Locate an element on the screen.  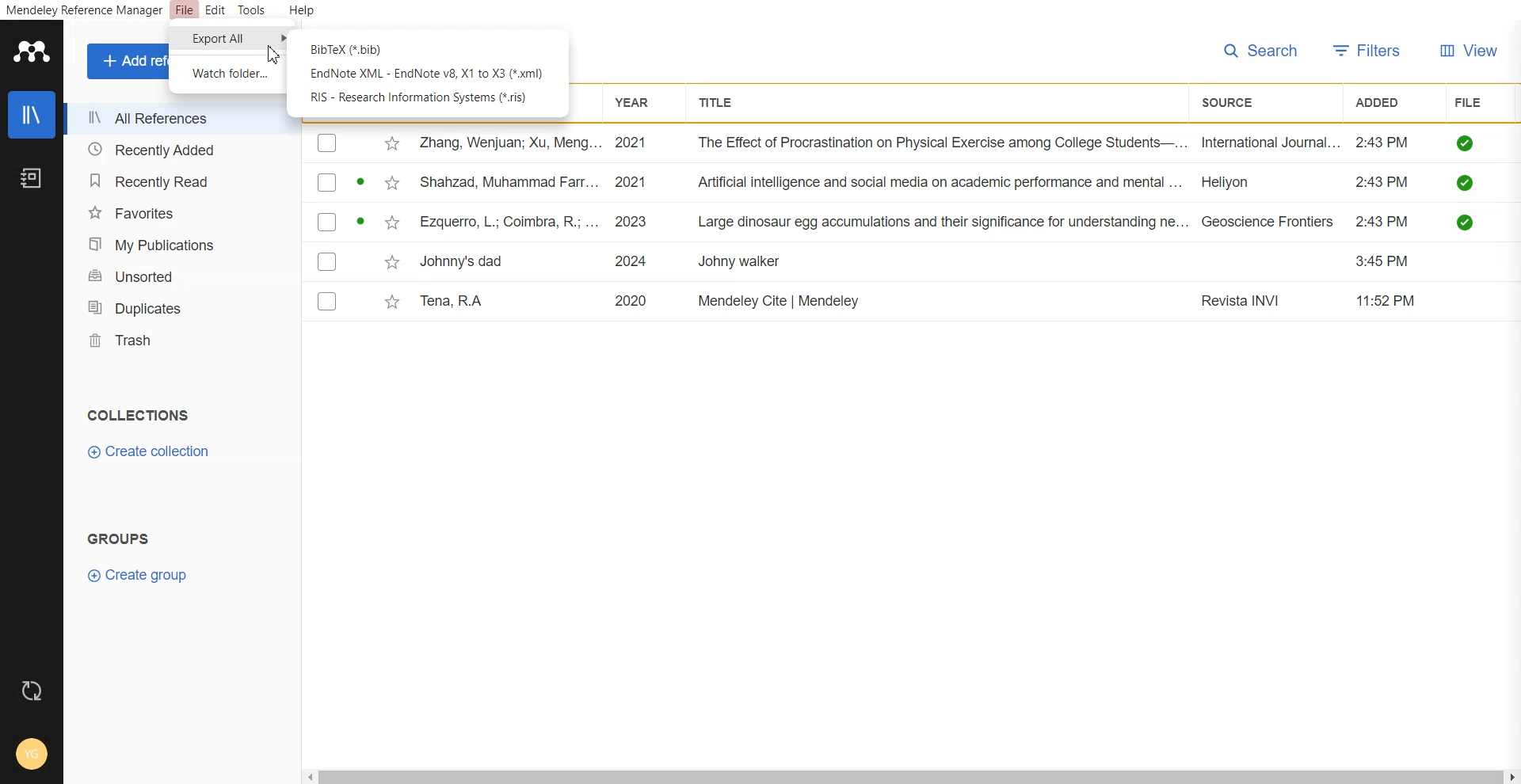
Johny walker is located at coordinates (741, 263).